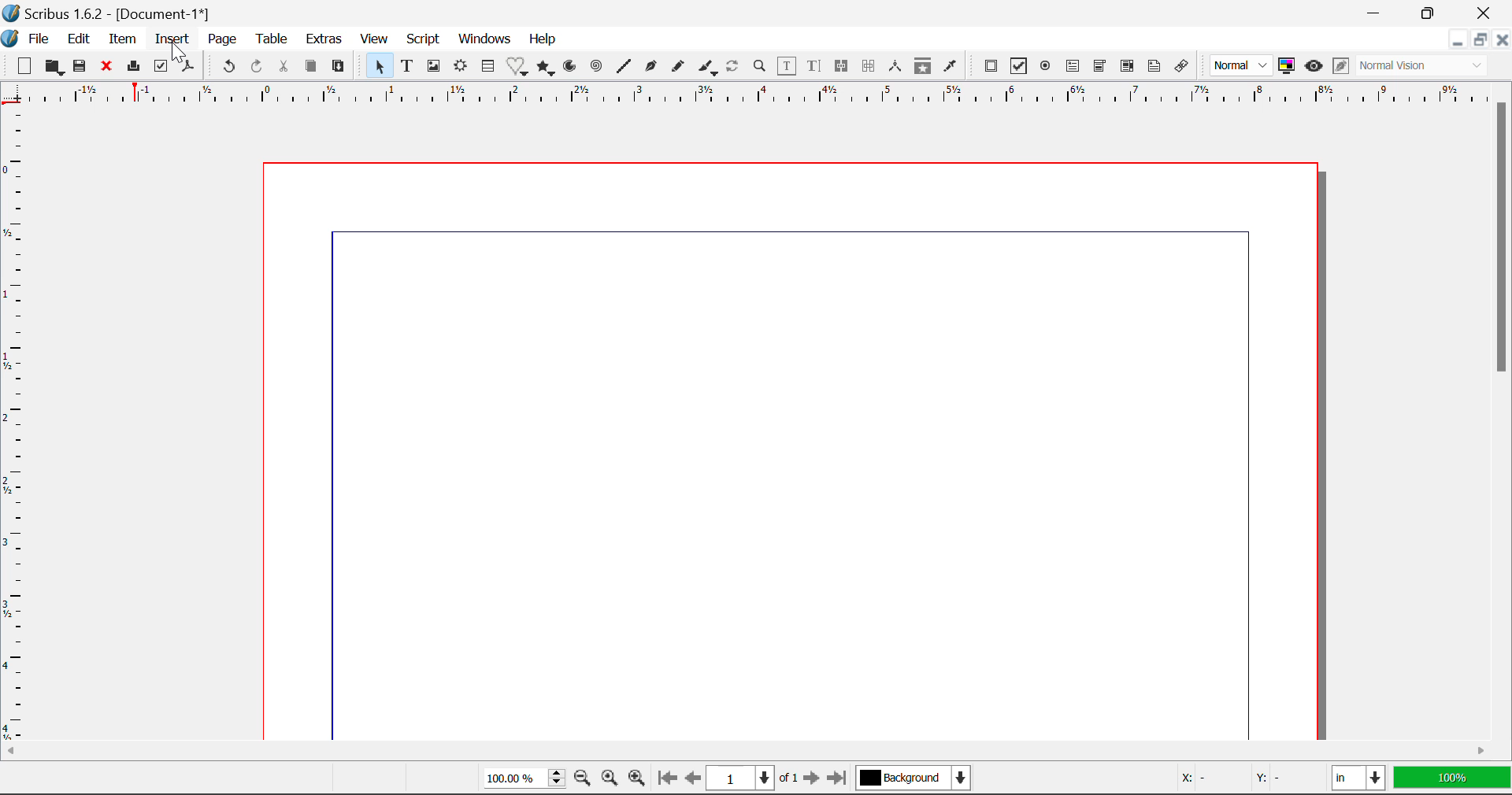 This screenshot has height=795, width=1512. I want to click on Pdf List box, so click(1128, 68).